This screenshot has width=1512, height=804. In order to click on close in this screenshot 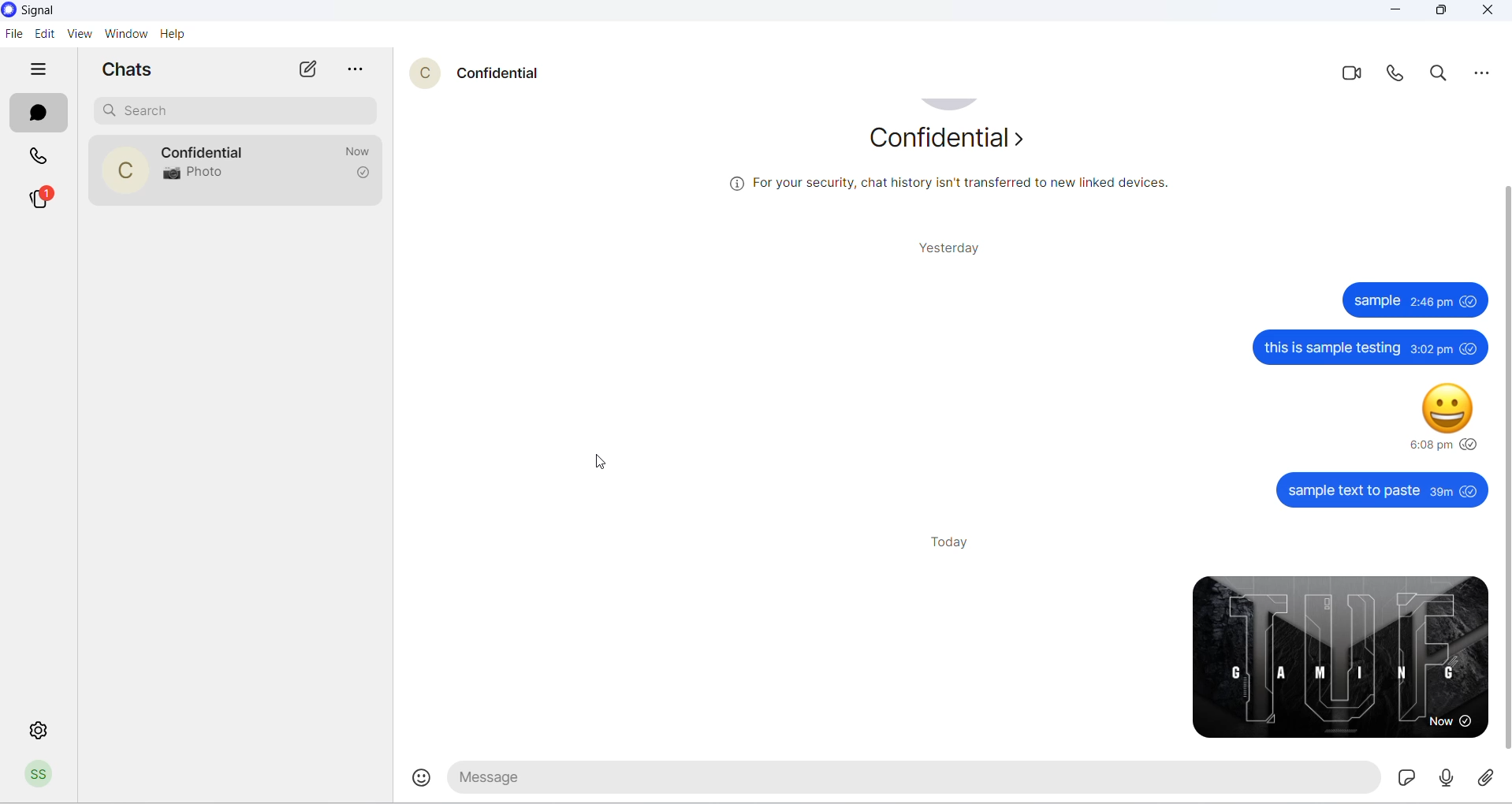, I will do `click(1486, 13)`.